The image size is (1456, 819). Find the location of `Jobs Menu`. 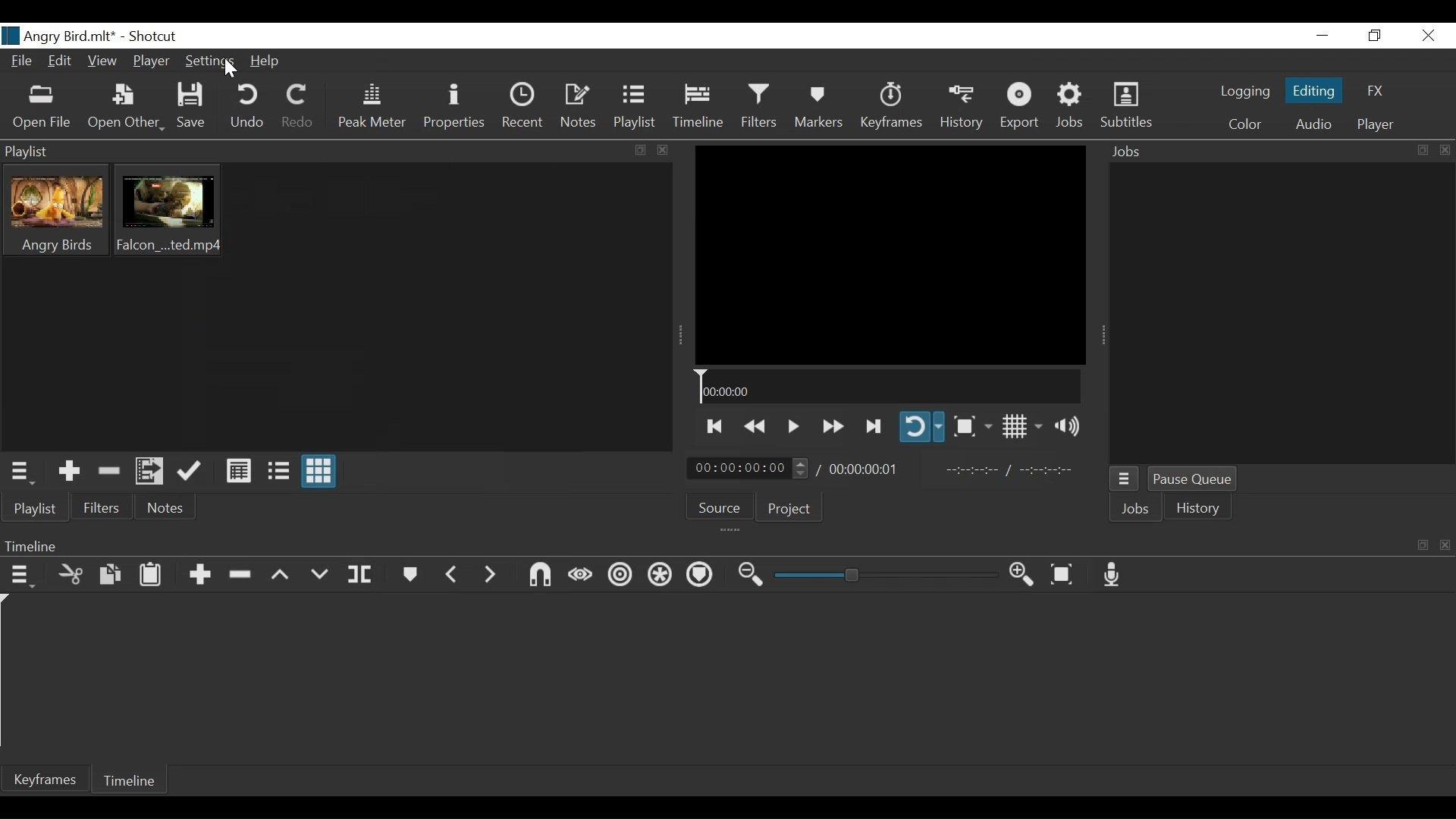

Jobs Menu is located at coordinates (1125, 480).